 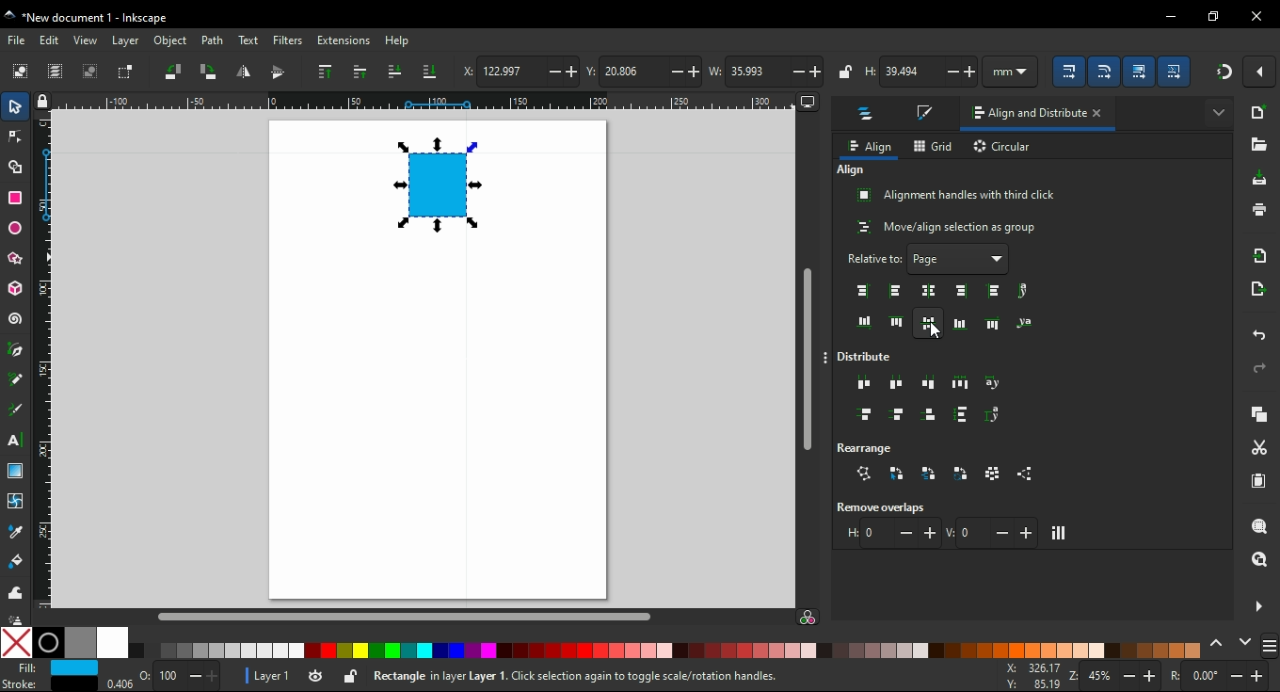 What do you see at coordinates (636, 677) in the screenshot?
I see `shortcuts and notifications display` at bounding box center [636, 677].